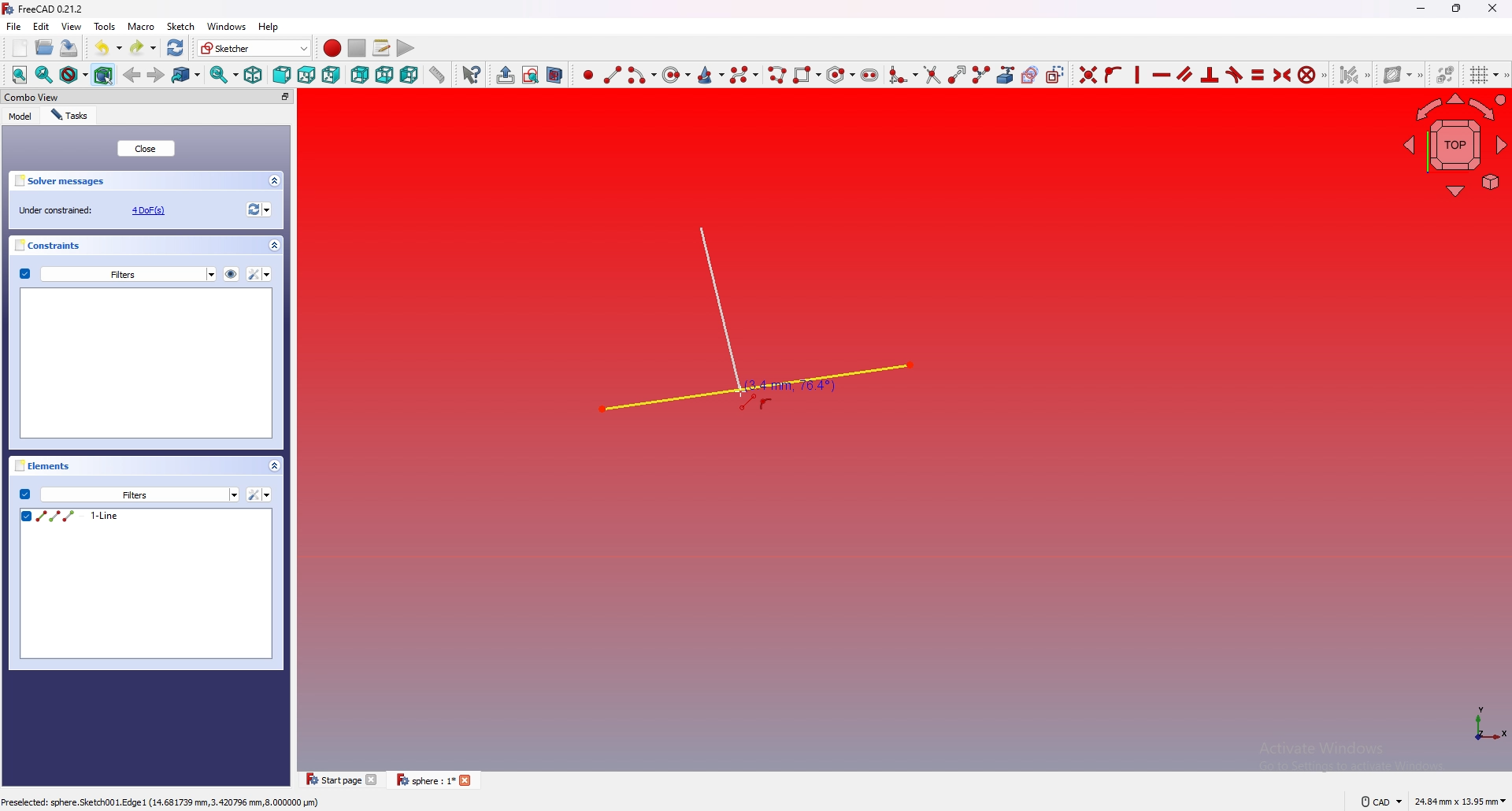 This screenshot has height=811, width=1512. What do you see at coordinates (151, 468) in the screenshot?
I see `Elements` at bounding box center [151, 468].